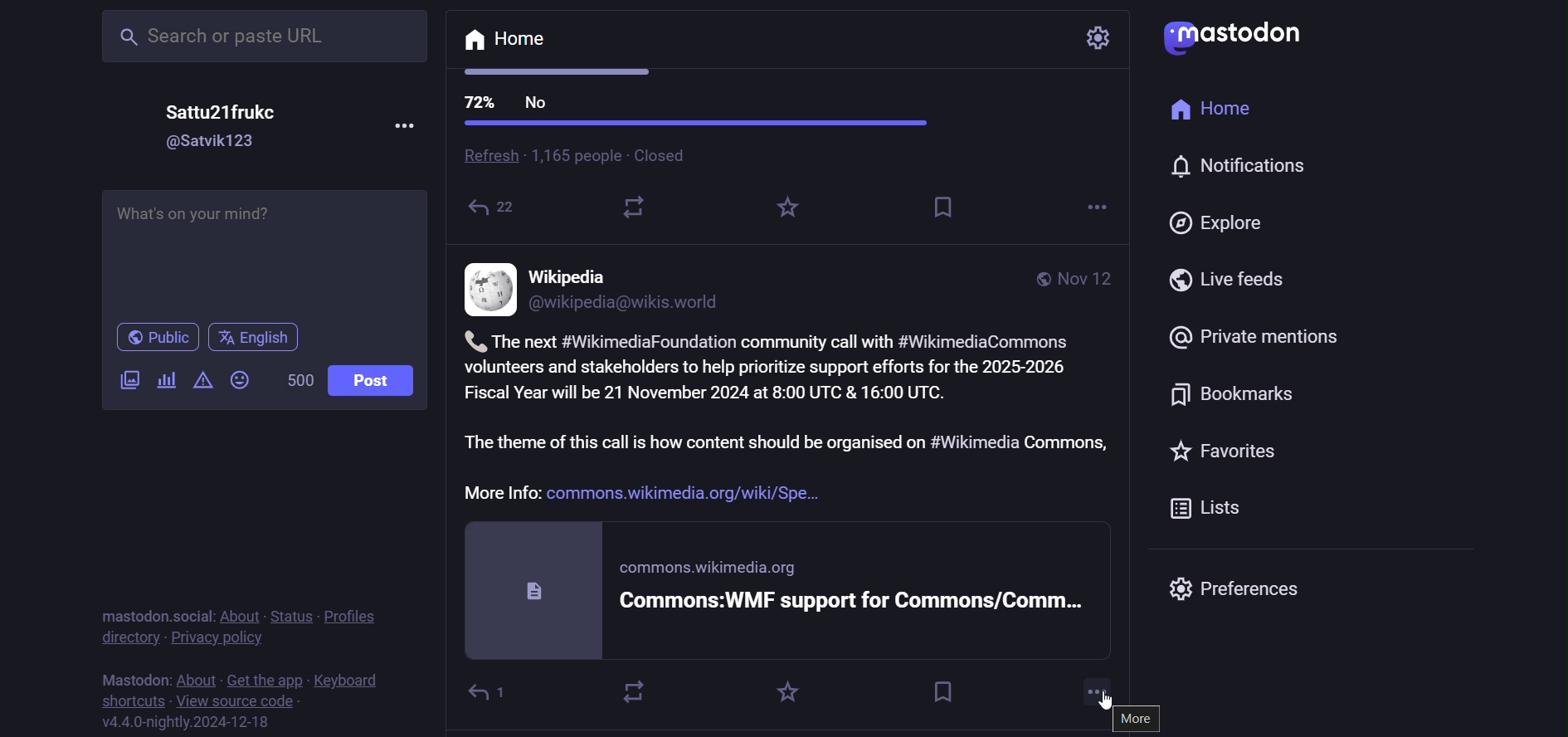 The height and width of the screenshot is (737, 1568). I want to click on mastodon, so click(129, 679).